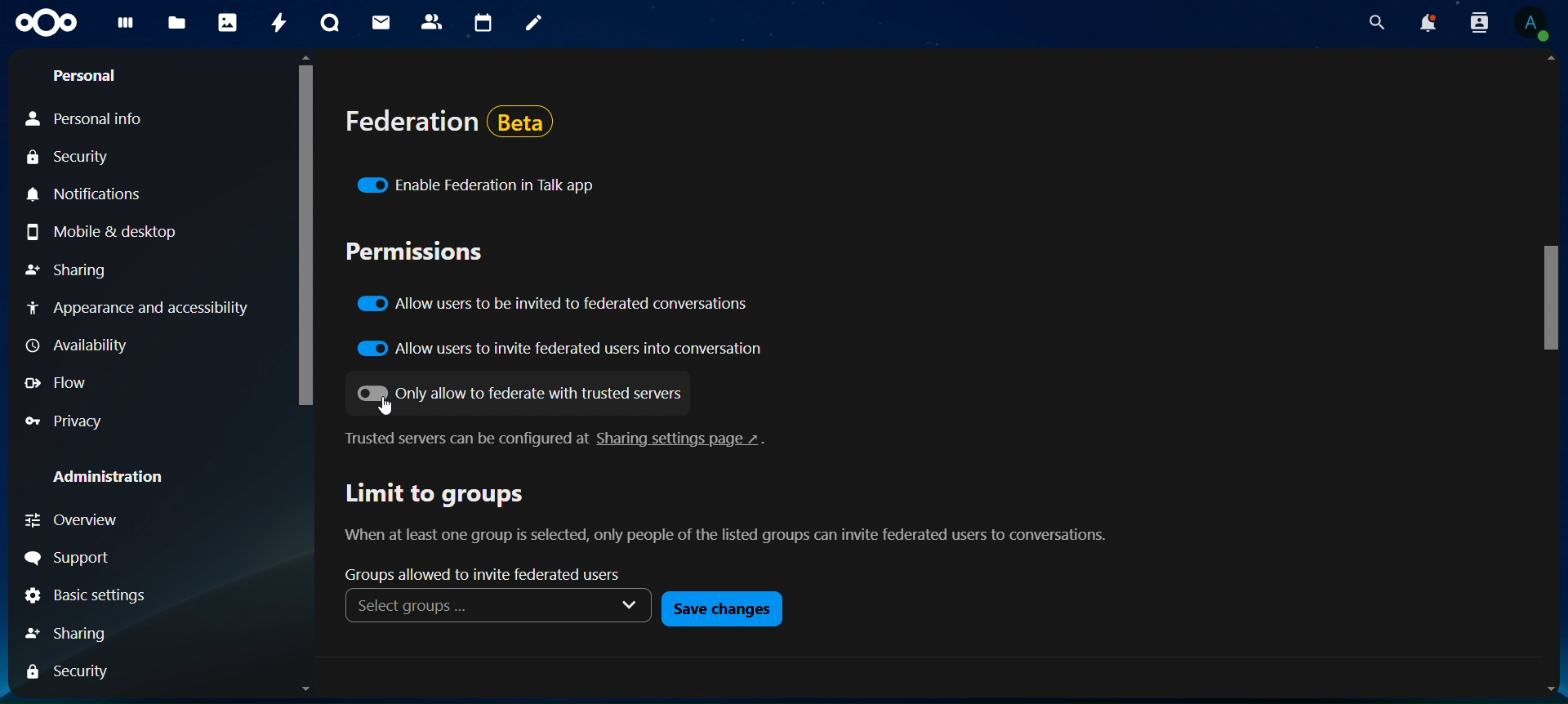  I want to click on support, so click(70, 559).